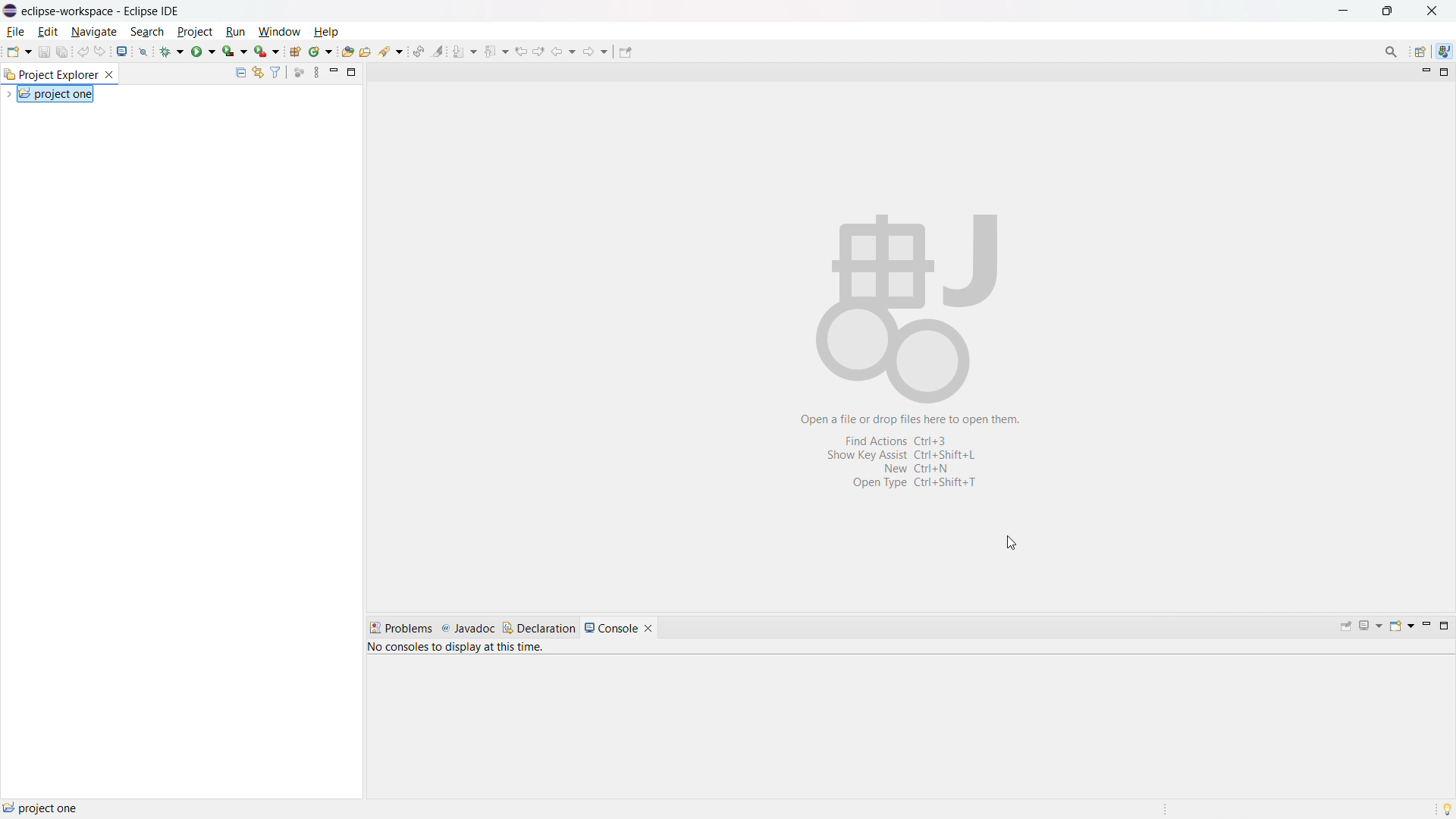 The width and height of the screenshot is (1456, 819). Describe the element at coordinates (123, 52) in the screenshot. I see `open console` at that location.